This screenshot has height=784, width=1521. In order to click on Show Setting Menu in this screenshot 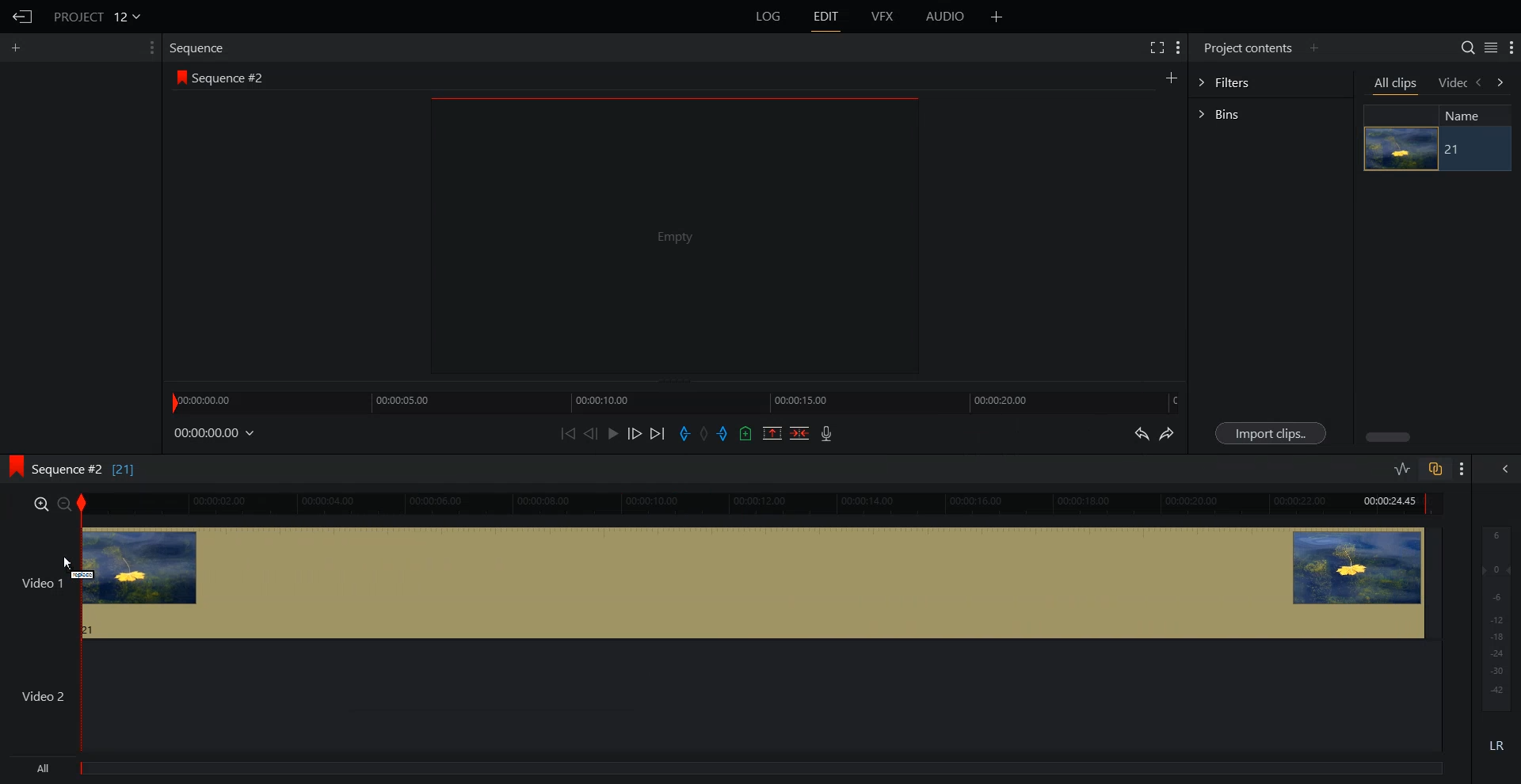, I will do `click(1179, 48)`.